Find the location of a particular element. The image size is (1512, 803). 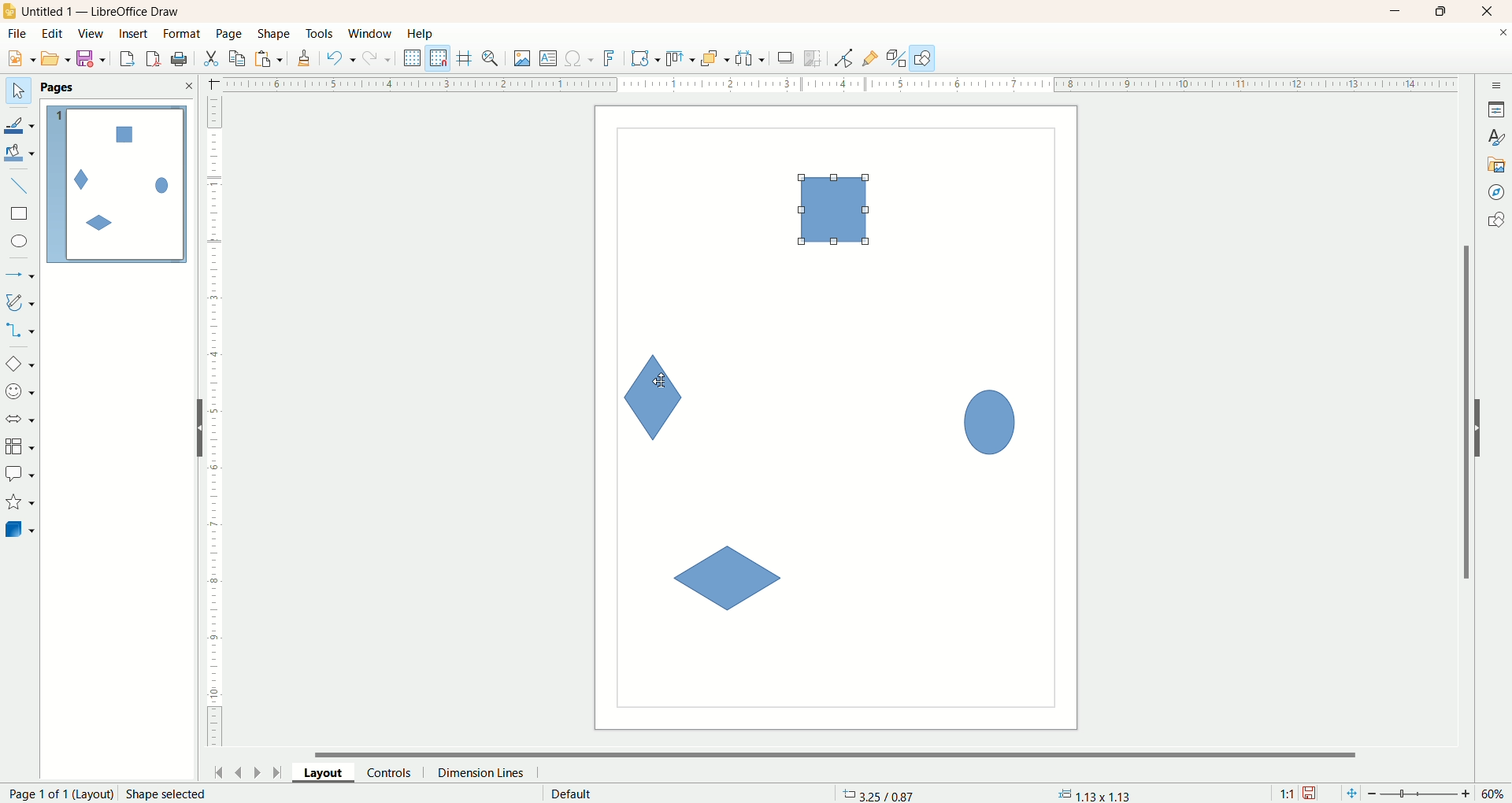

select at least three objects to distribute is located at coordinates (751, 58).